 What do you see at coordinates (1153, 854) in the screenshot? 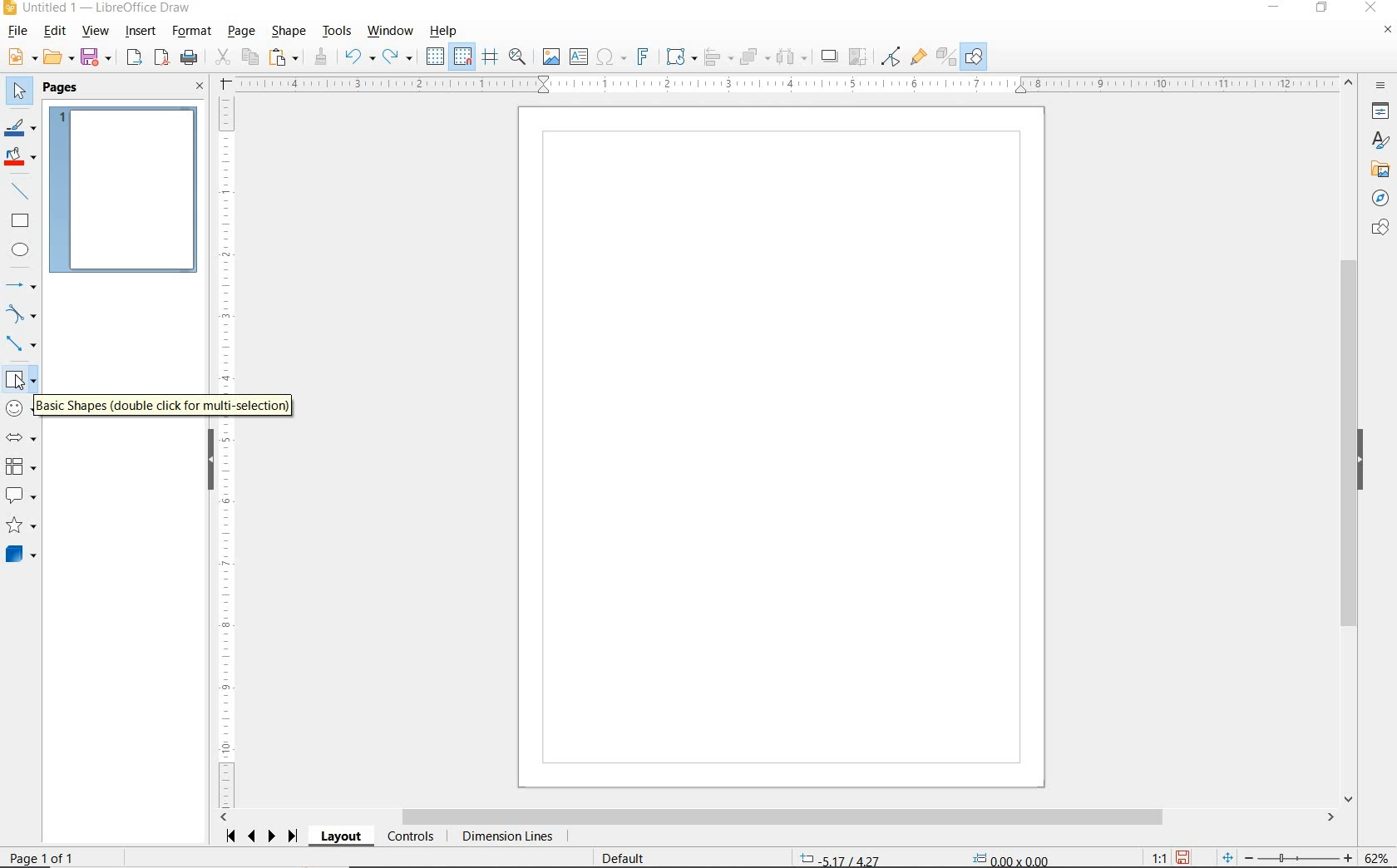
I see `SCALING FACTOR` at bounding box center [1153, 854].